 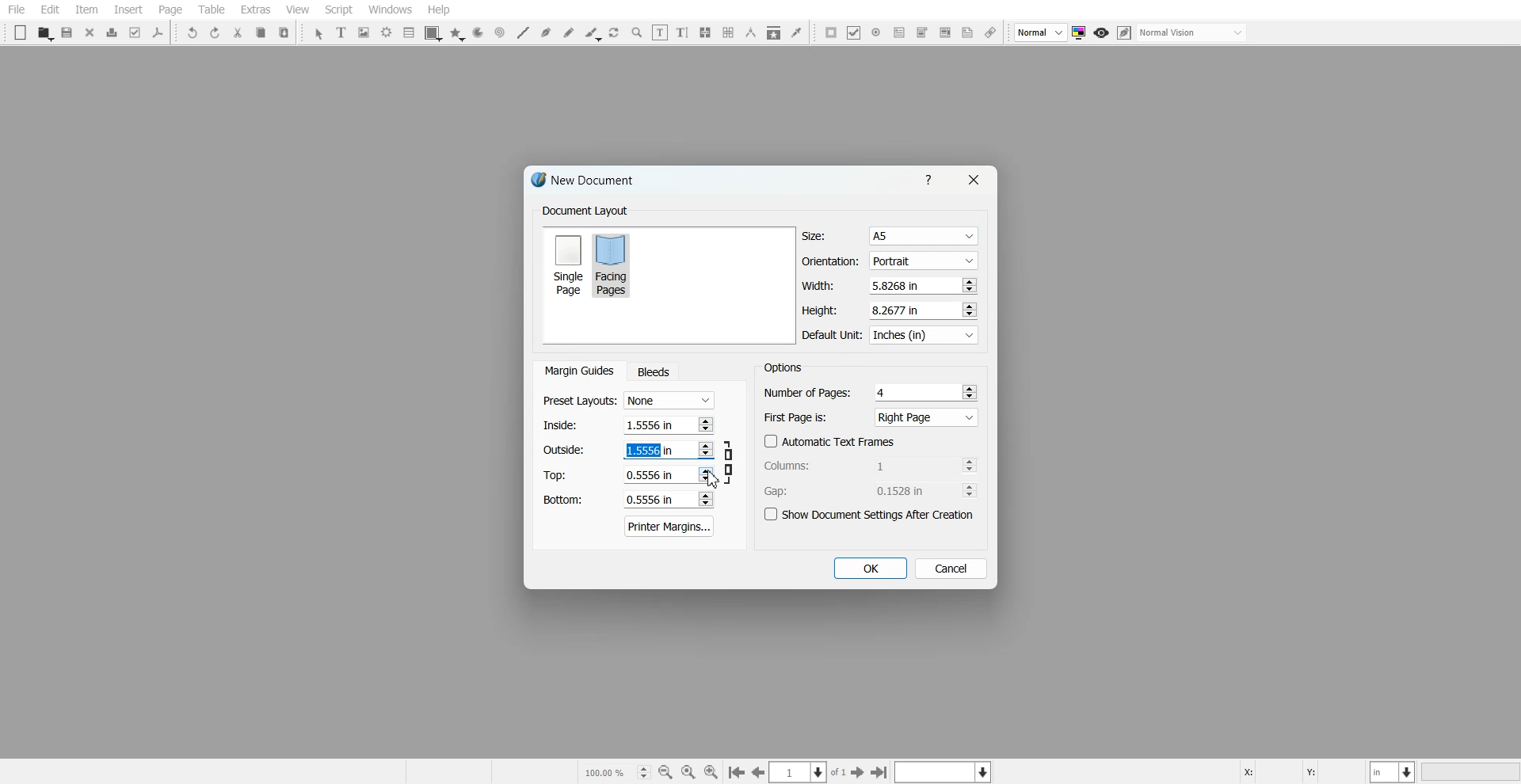 I want to click on Default Unit in Inches, so click(x=891, y=336).